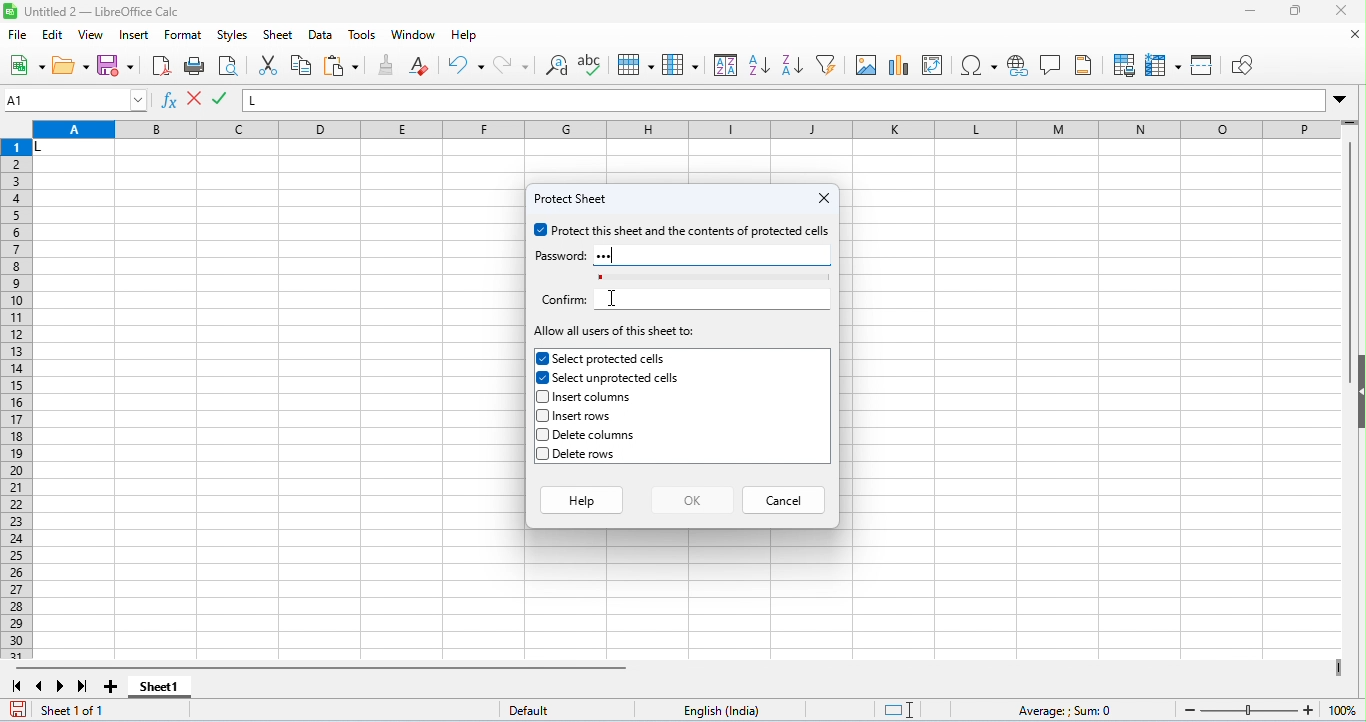 This screenshot has width=1366, height=722. What do you see at coordinates (465, 37) in the screenshot?
I see `help` at bounding box center [465, 37].